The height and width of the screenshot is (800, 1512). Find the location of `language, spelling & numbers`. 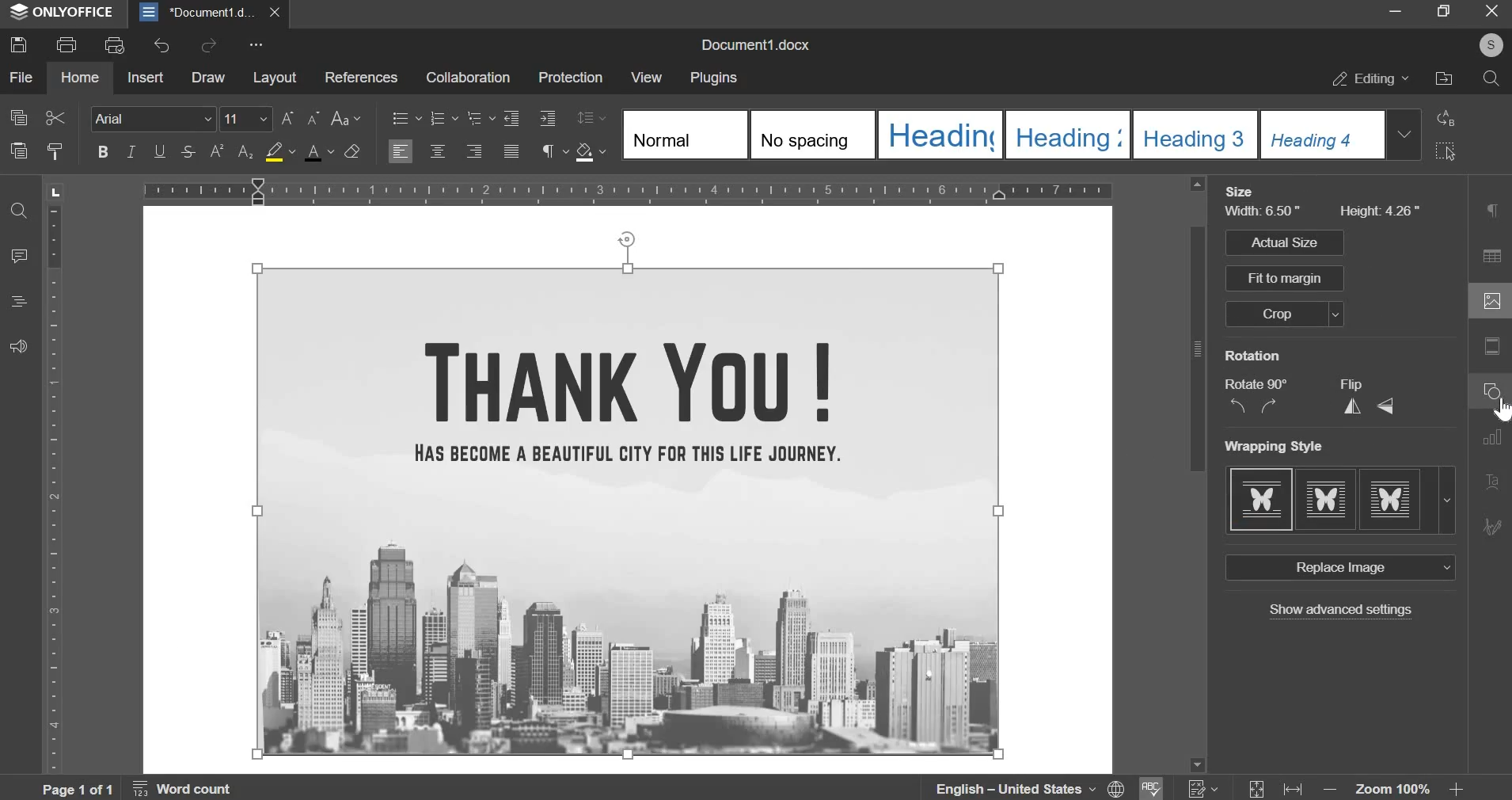

language, spelling & numbers is located at coordinates (1077, 786).